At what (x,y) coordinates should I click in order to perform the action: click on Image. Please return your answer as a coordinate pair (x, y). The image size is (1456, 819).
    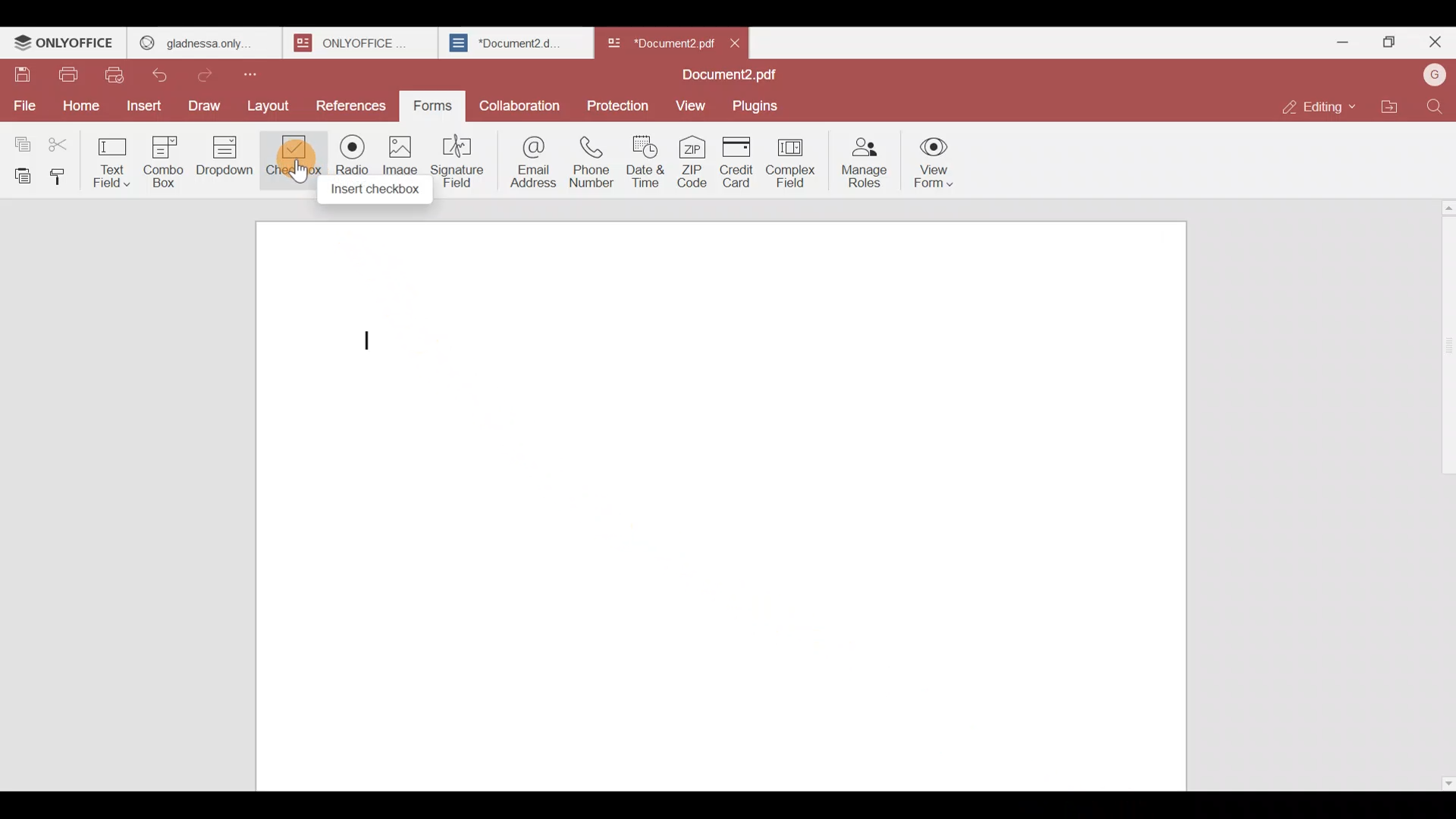
    Looking at the image, I should click on (402, 167).